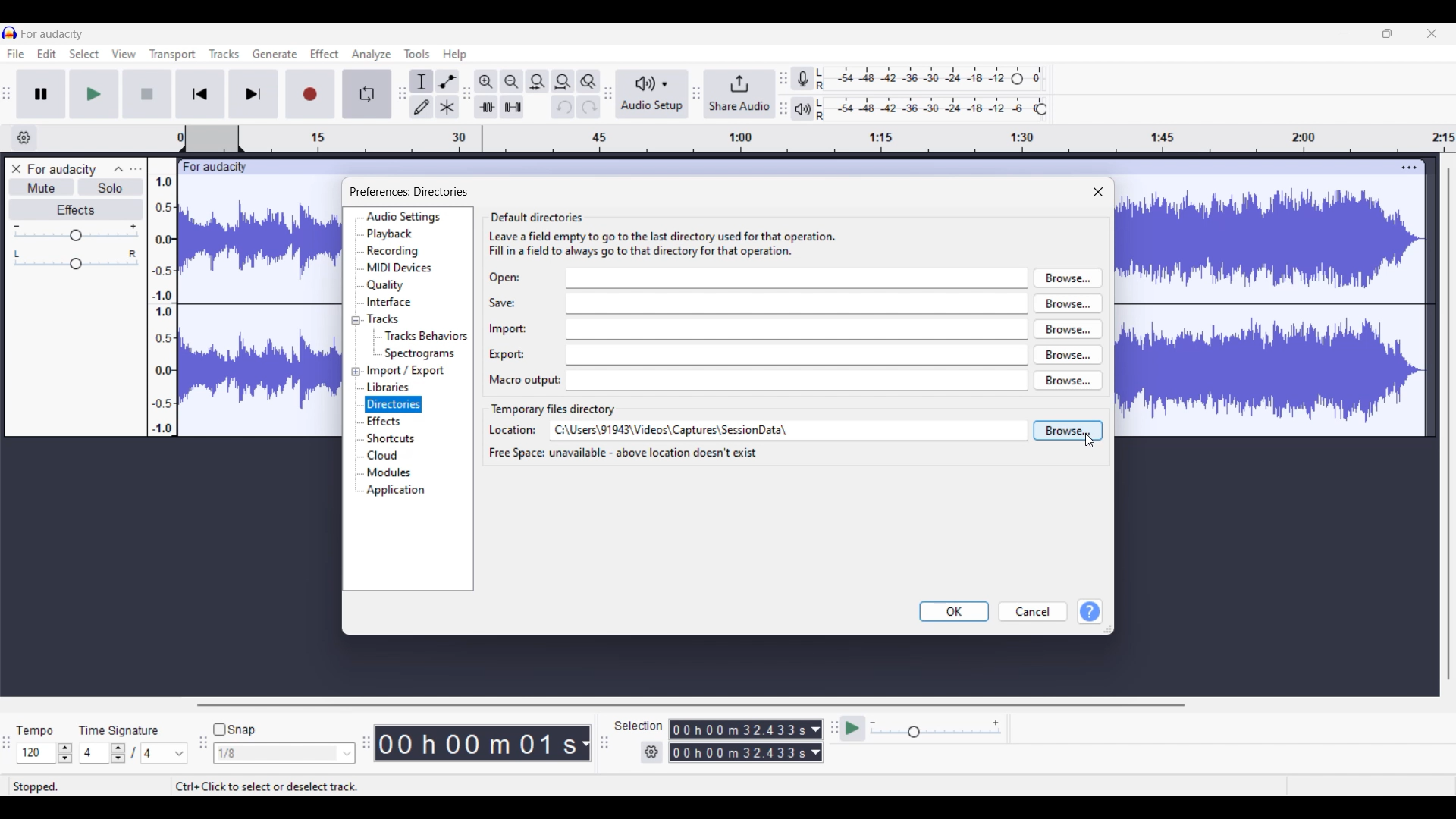  Describe the element at coordinates (1068, 303) in the screenshot. I see `browse` at that location.